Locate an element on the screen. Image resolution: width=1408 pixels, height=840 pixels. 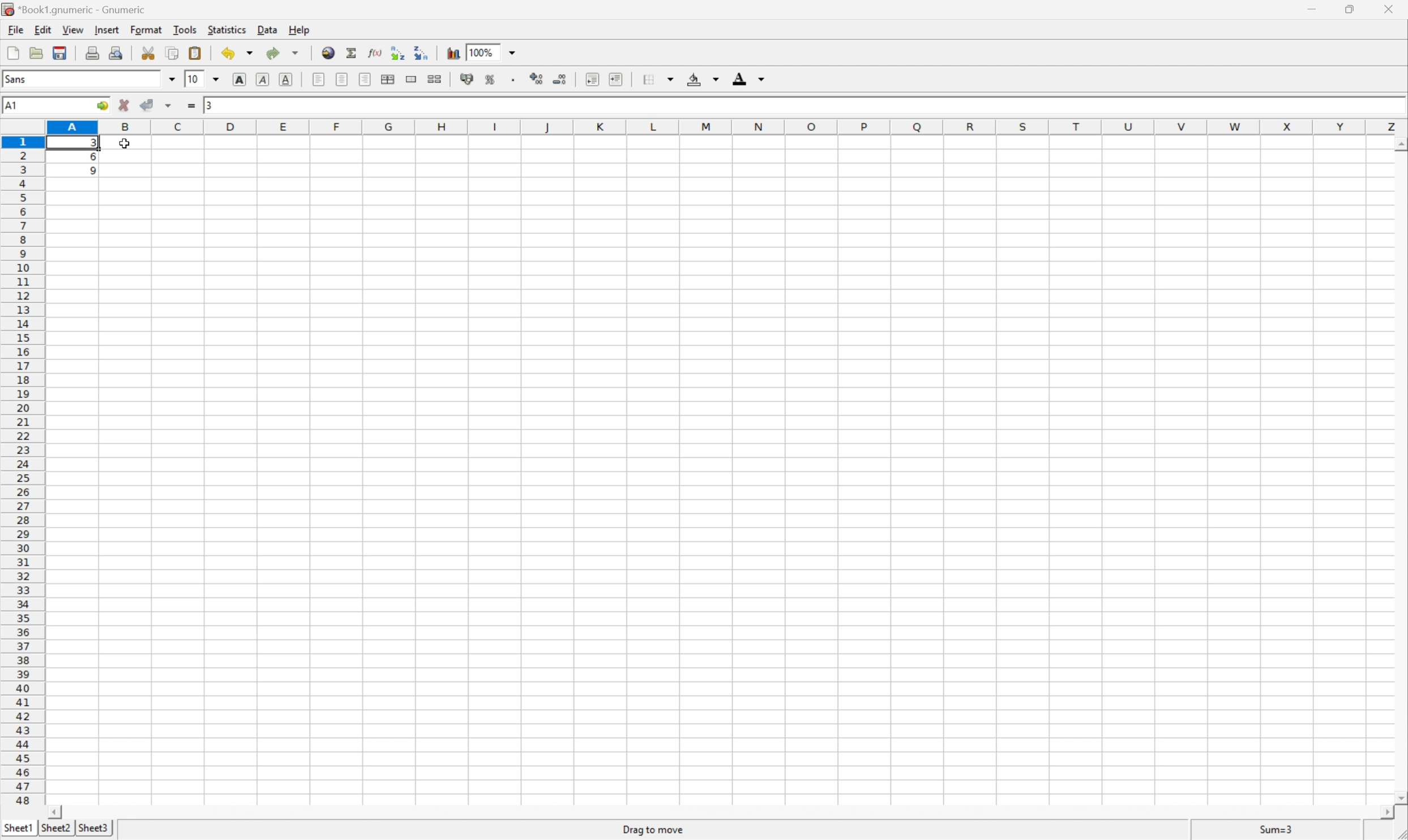
5 is located at coordinates (89, 173).